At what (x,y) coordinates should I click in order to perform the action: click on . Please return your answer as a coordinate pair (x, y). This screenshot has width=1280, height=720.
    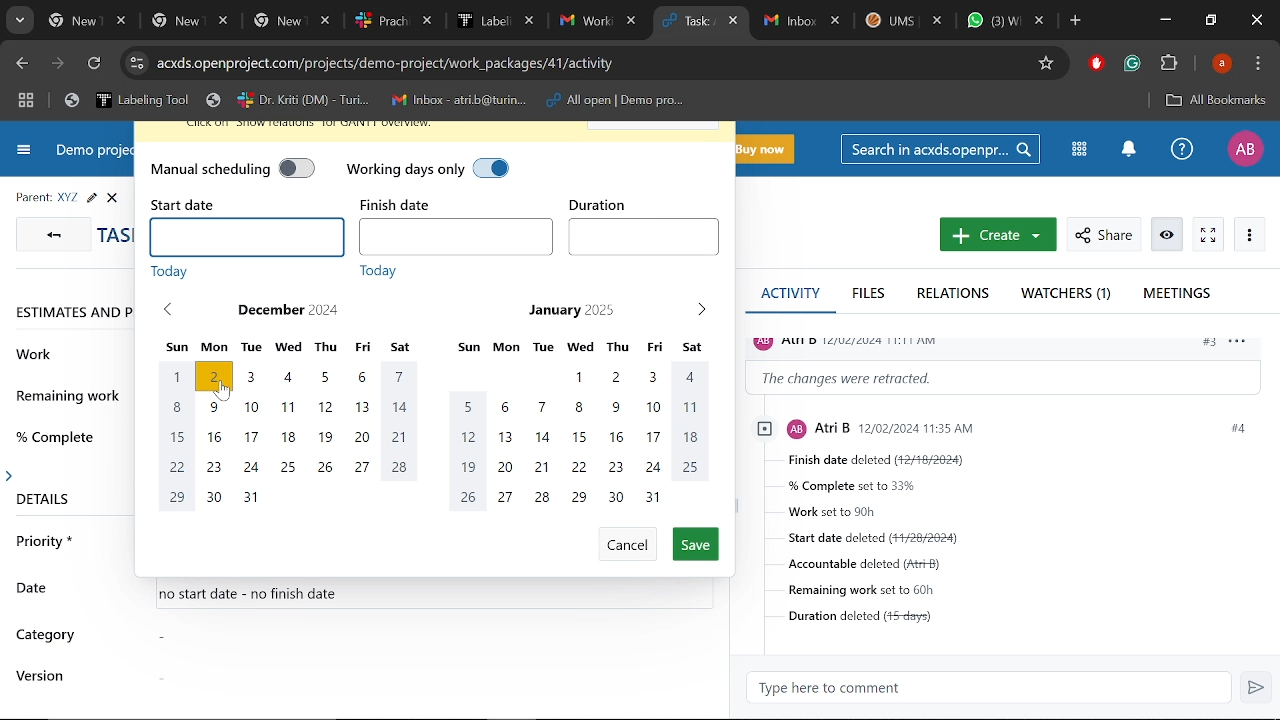
    Looking at the image, I should click on (27, 151).